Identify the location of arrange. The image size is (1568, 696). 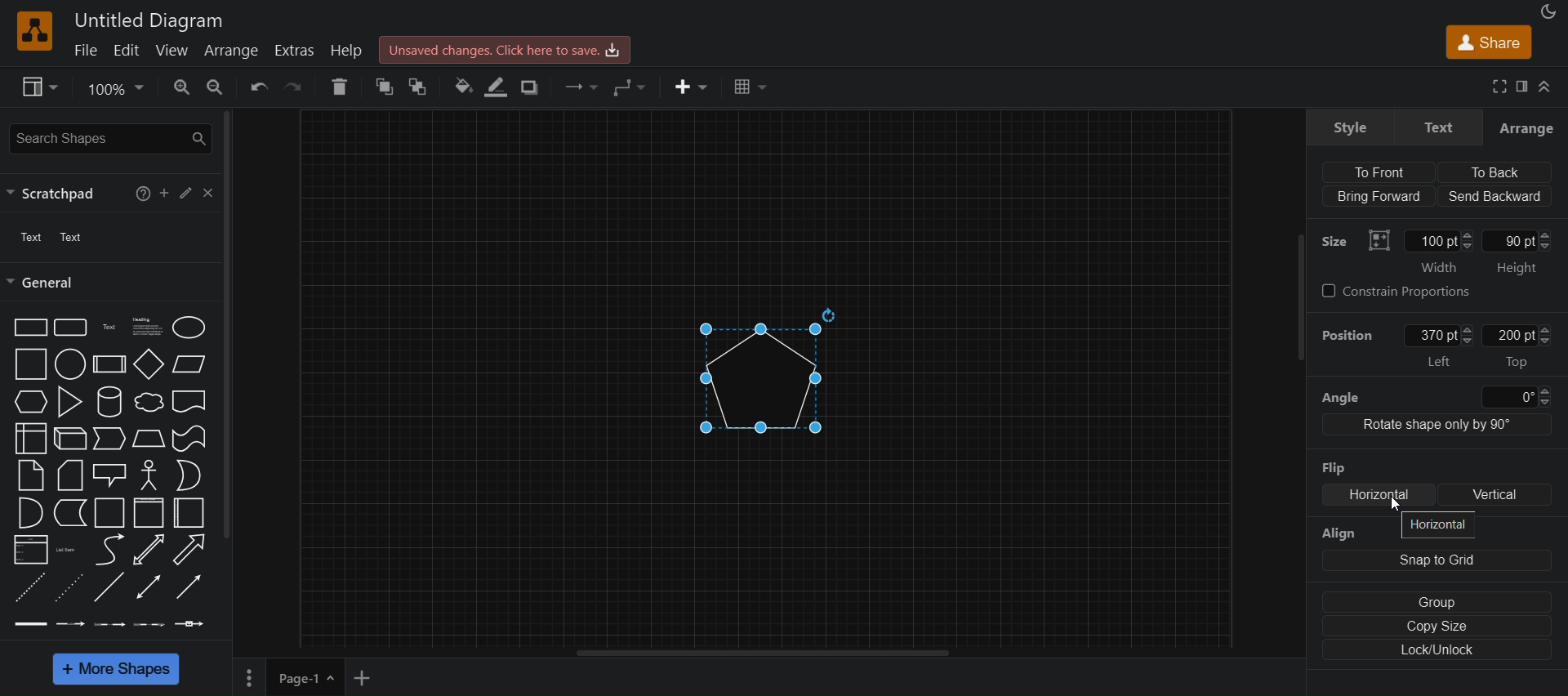
(1526, 127).